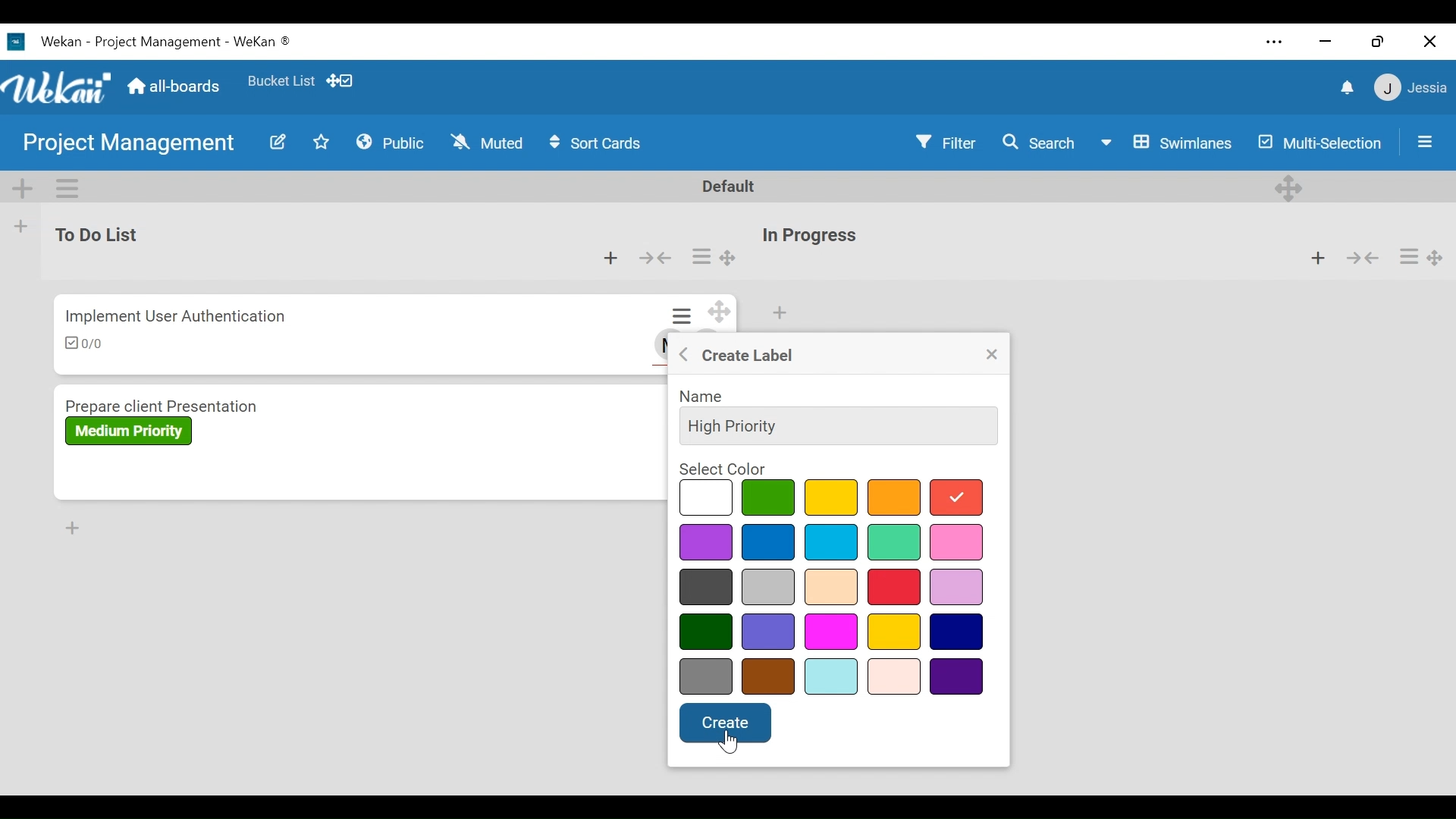  I want to click on Desktop drag handle, so click(729, 259).